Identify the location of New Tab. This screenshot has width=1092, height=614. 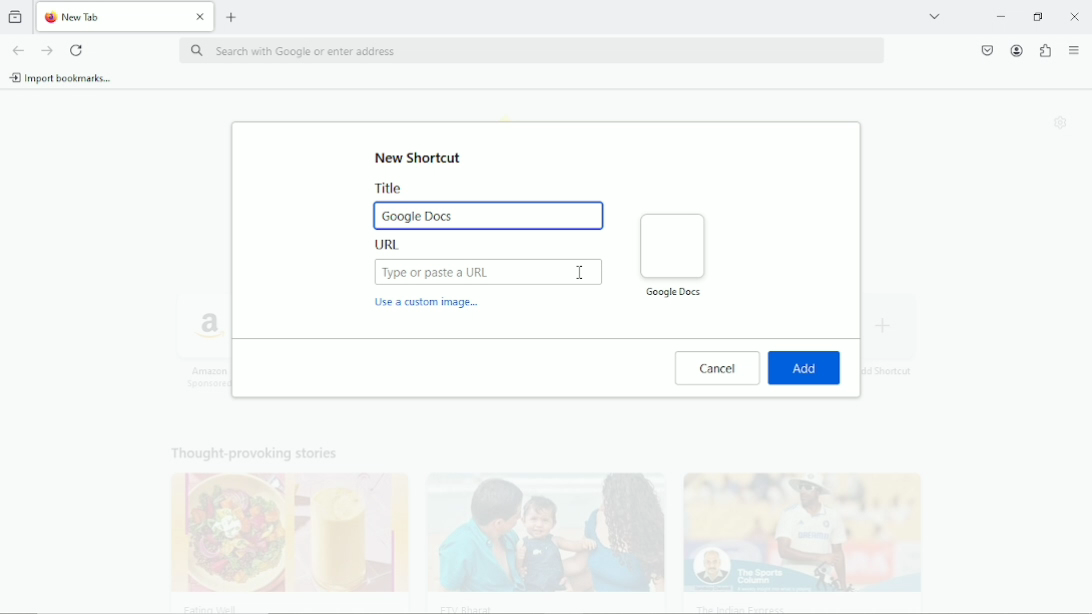
(110, 17).